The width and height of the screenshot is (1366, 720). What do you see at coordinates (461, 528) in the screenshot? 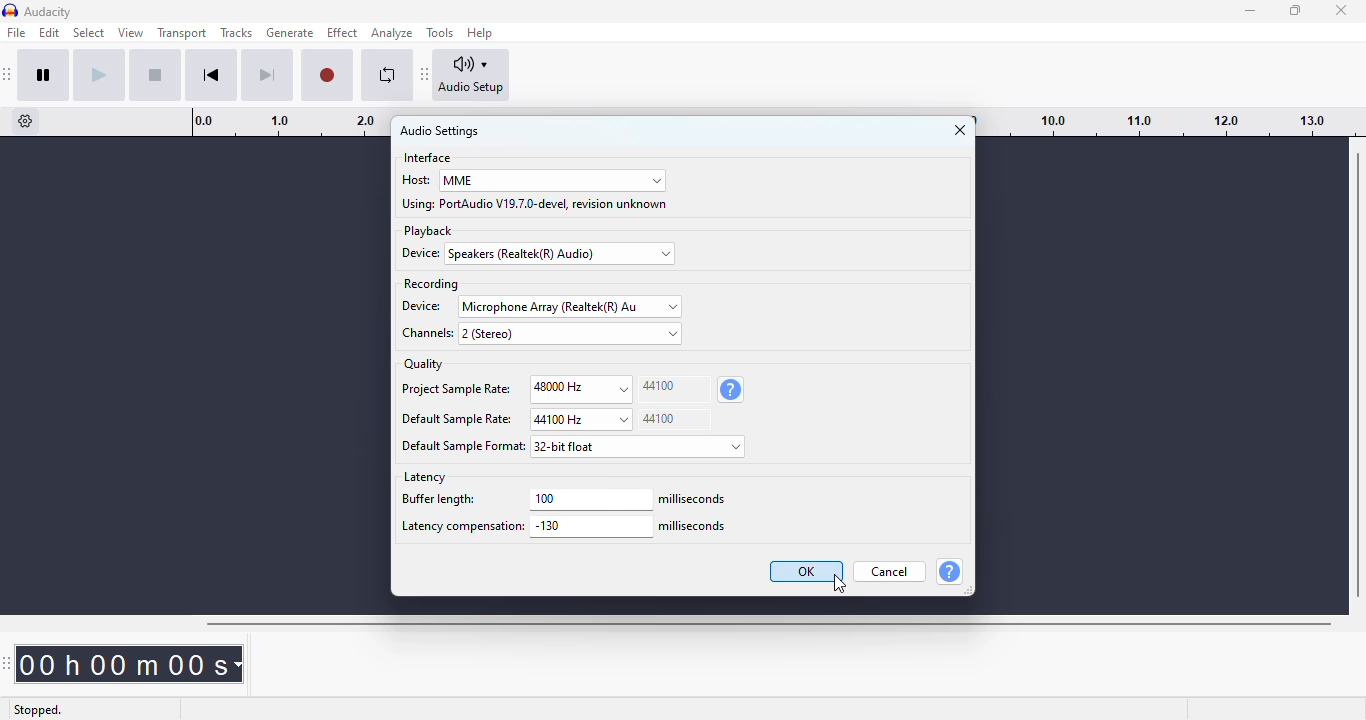
I see `latency compensation` at bounding box center [461, 528].